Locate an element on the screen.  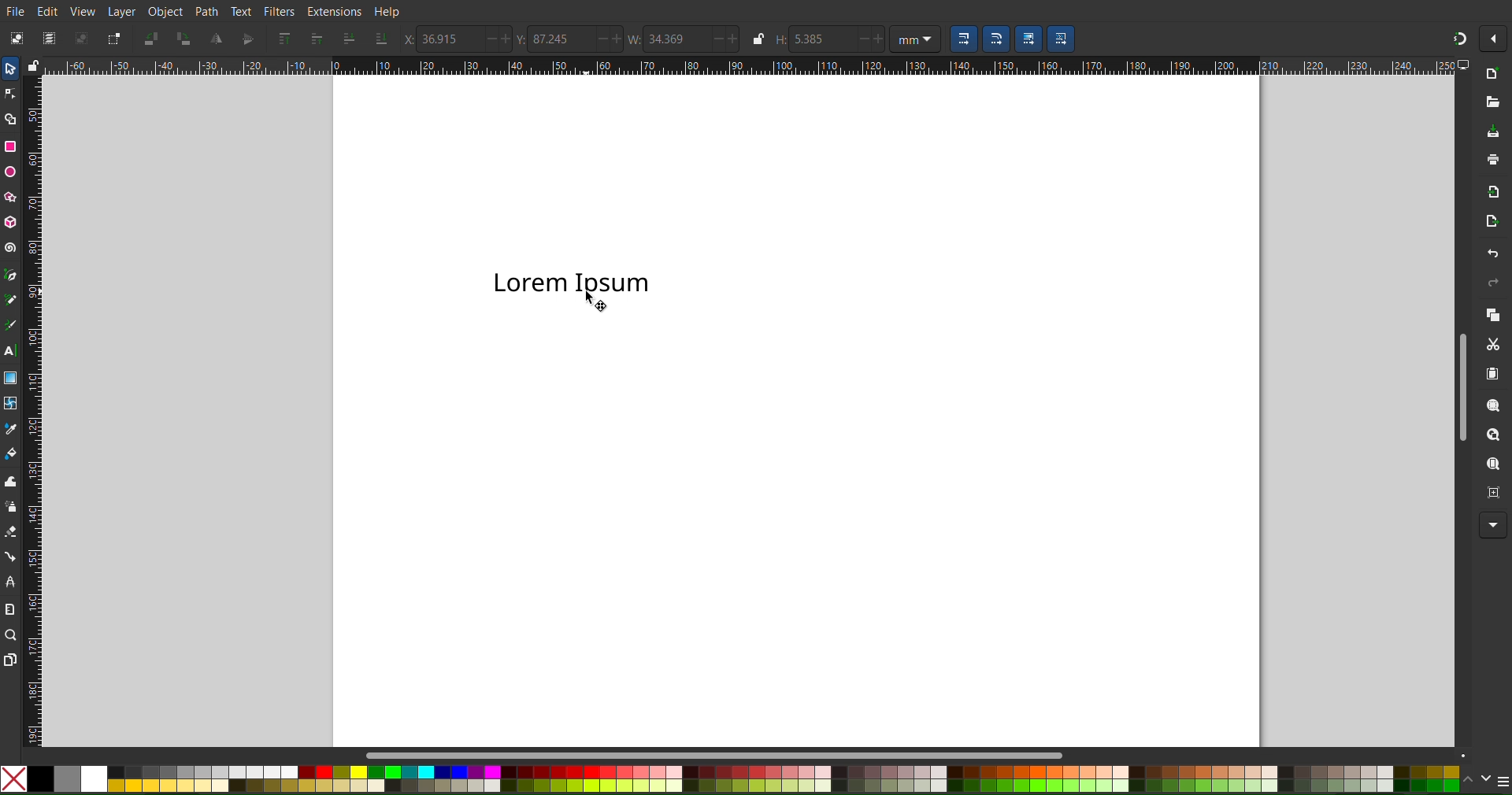
Select Object is located at coordinates (18, 39).